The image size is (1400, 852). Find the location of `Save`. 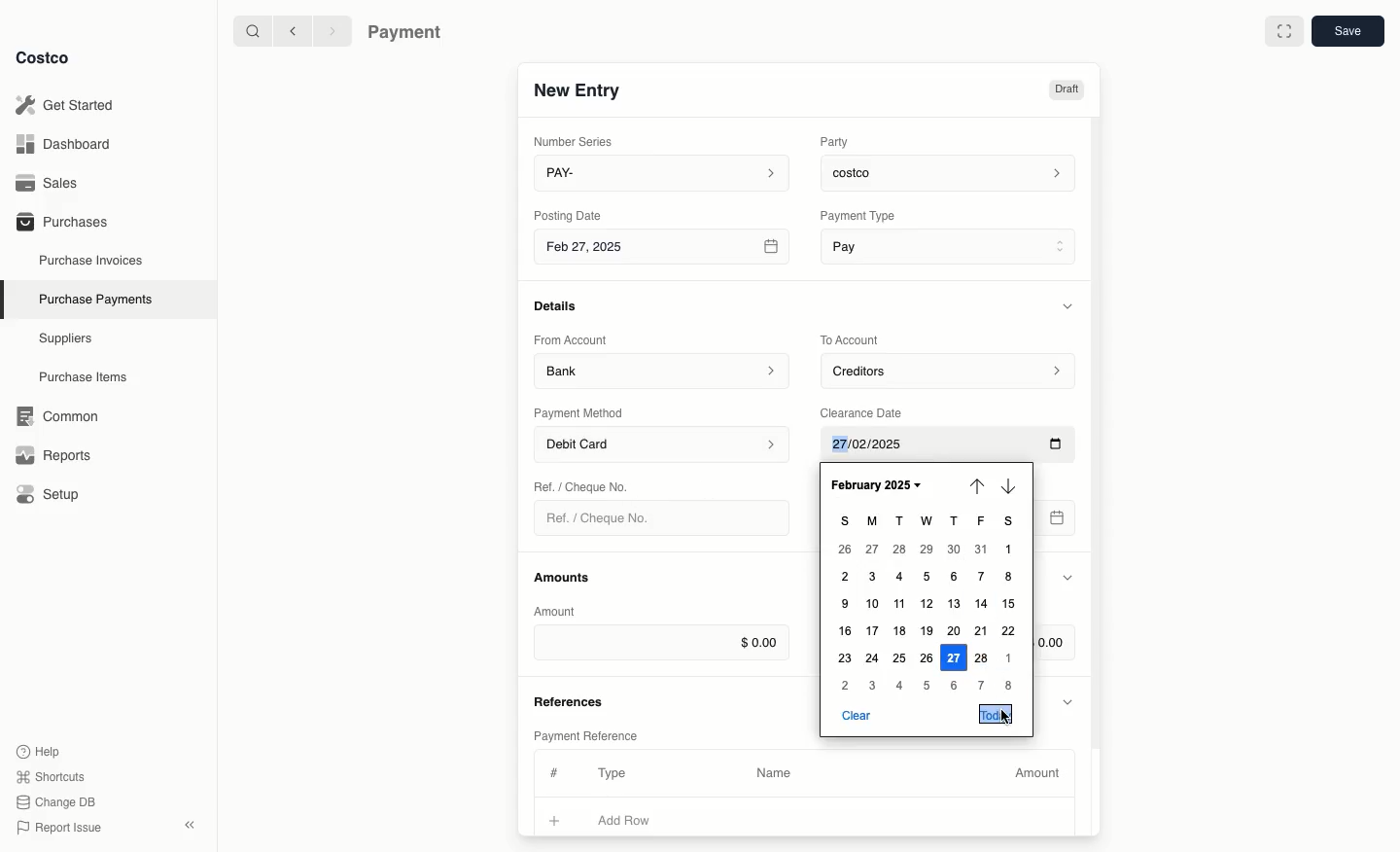

Save is located at coordinates (1347, 30).